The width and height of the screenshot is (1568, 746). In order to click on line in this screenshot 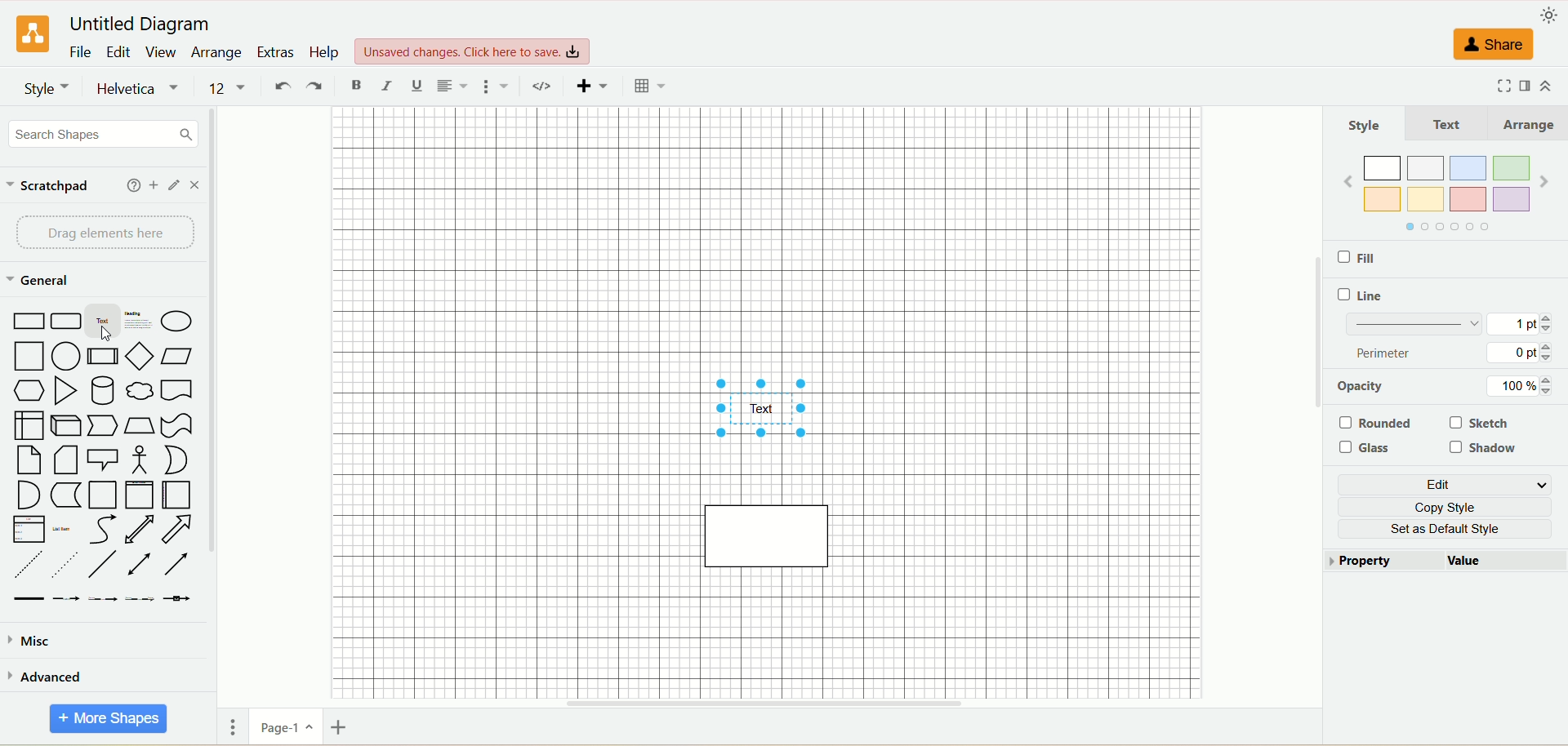, I will do `click(105, 565)`.